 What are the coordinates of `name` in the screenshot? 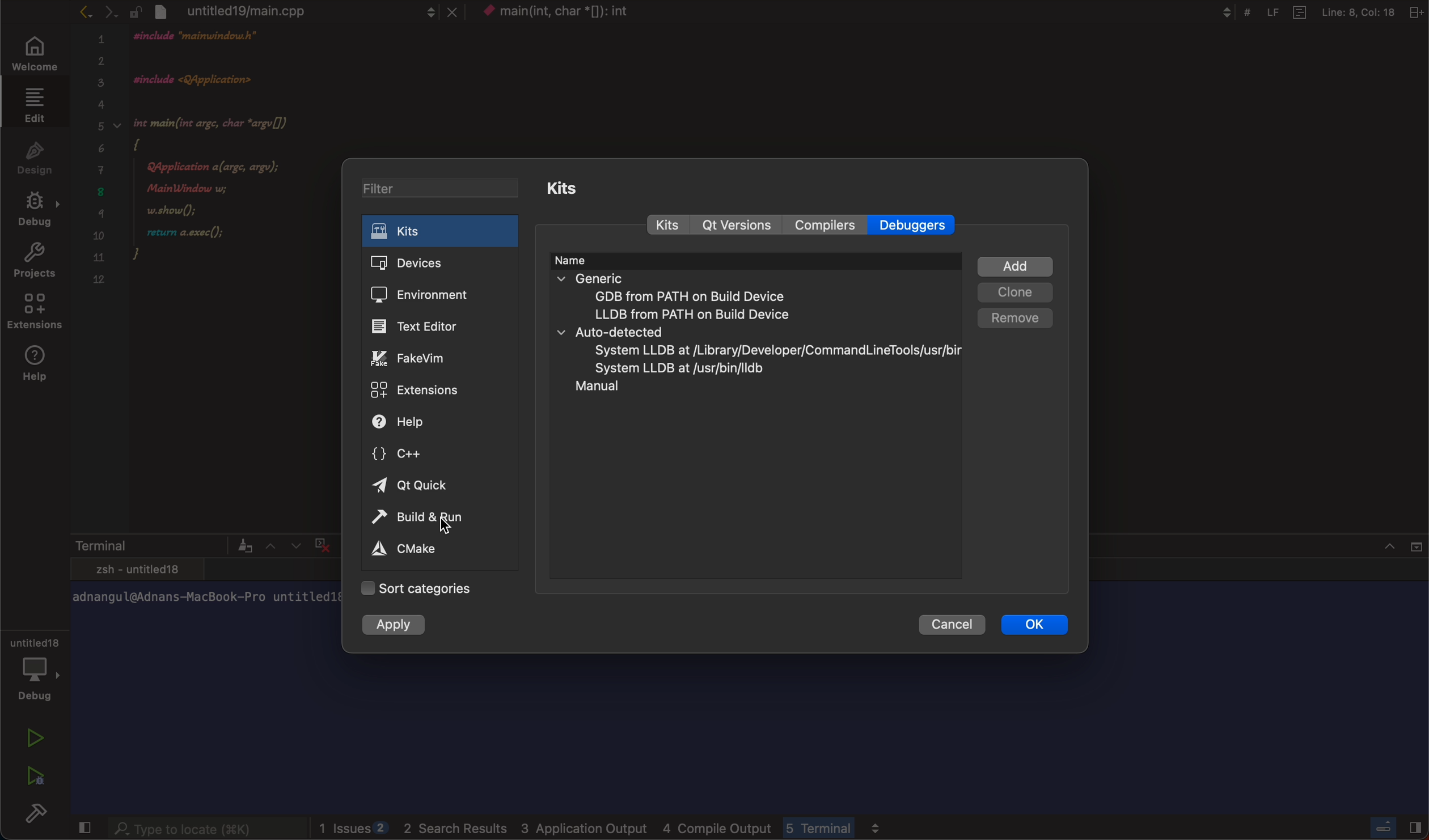 It's located at (586, 260).